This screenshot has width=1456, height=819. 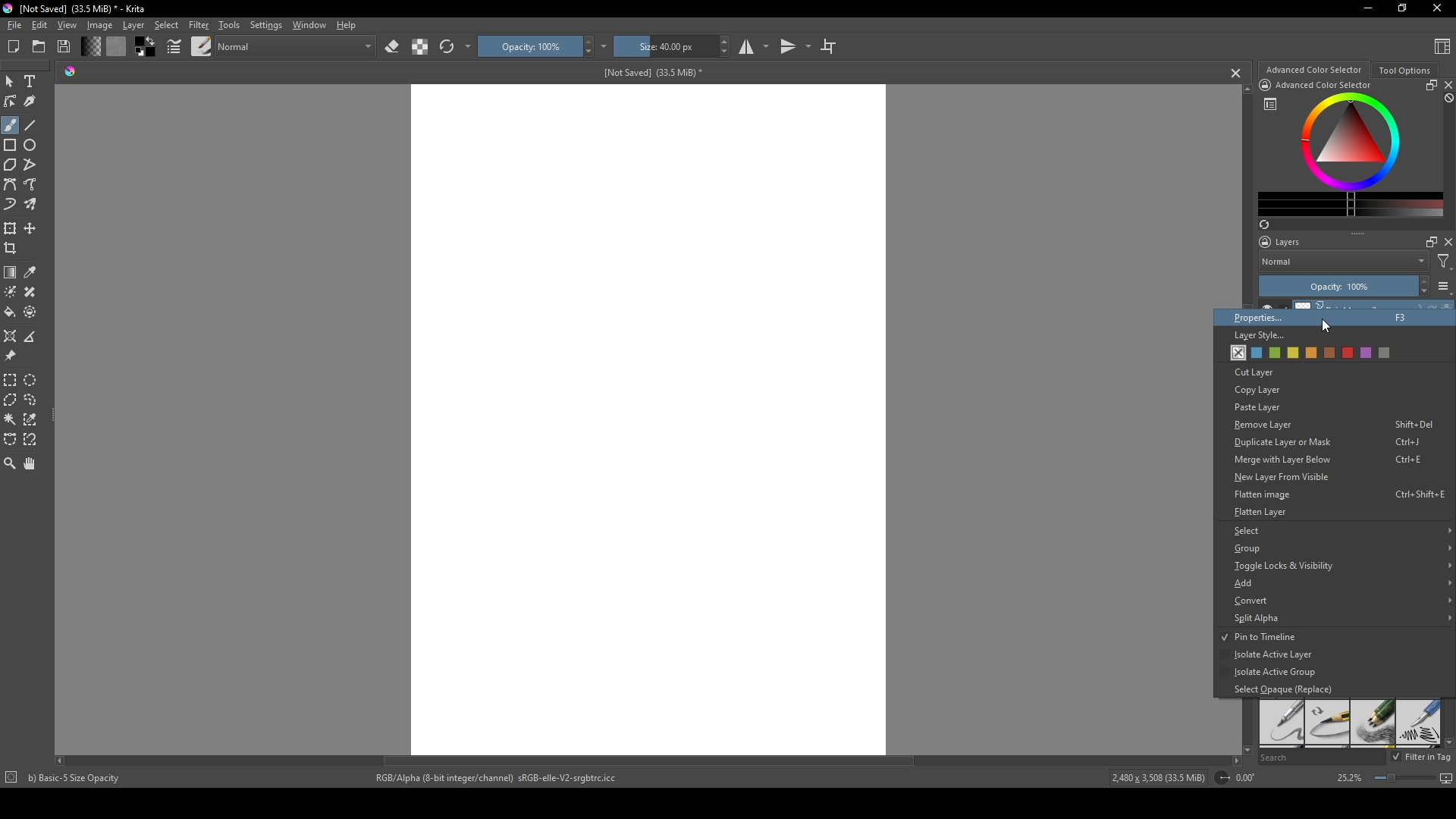 What do you see at coordinates (31, 125) in the screenshot?
I see `line` at bounding box center [31, 125].